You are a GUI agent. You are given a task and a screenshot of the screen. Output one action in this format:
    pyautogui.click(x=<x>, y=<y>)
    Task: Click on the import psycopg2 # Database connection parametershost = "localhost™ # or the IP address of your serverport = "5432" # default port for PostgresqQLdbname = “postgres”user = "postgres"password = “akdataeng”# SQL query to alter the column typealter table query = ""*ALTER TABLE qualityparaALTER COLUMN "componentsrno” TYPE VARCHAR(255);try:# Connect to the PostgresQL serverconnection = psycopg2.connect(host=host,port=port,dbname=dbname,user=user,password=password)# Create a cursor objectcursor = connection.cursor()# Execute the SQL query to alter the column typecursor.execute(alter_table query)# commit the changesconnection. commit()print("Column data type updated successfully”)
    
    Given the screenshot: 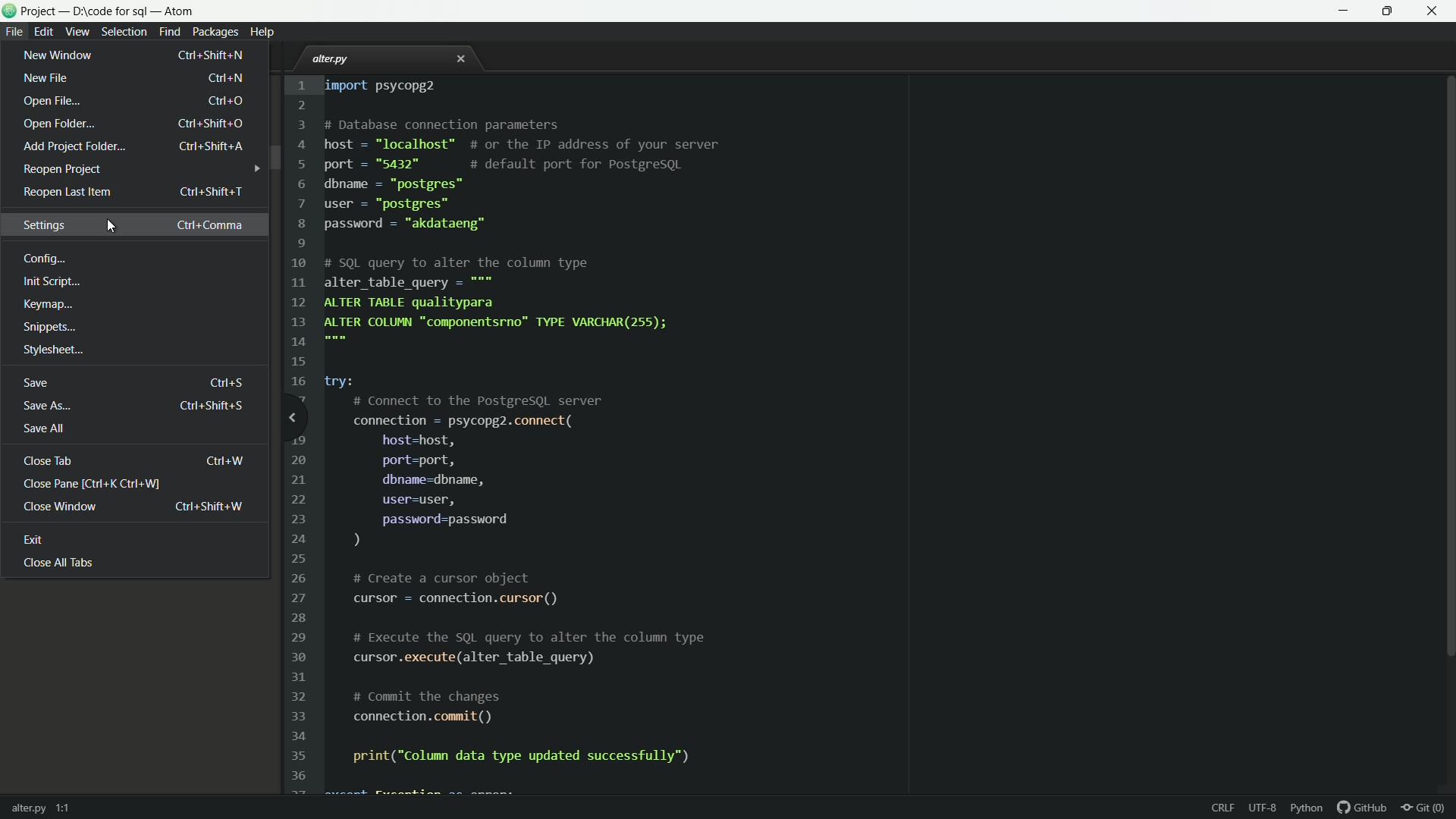 What is the action you would take?
    pyautogui.click(x=533, y=425)
    